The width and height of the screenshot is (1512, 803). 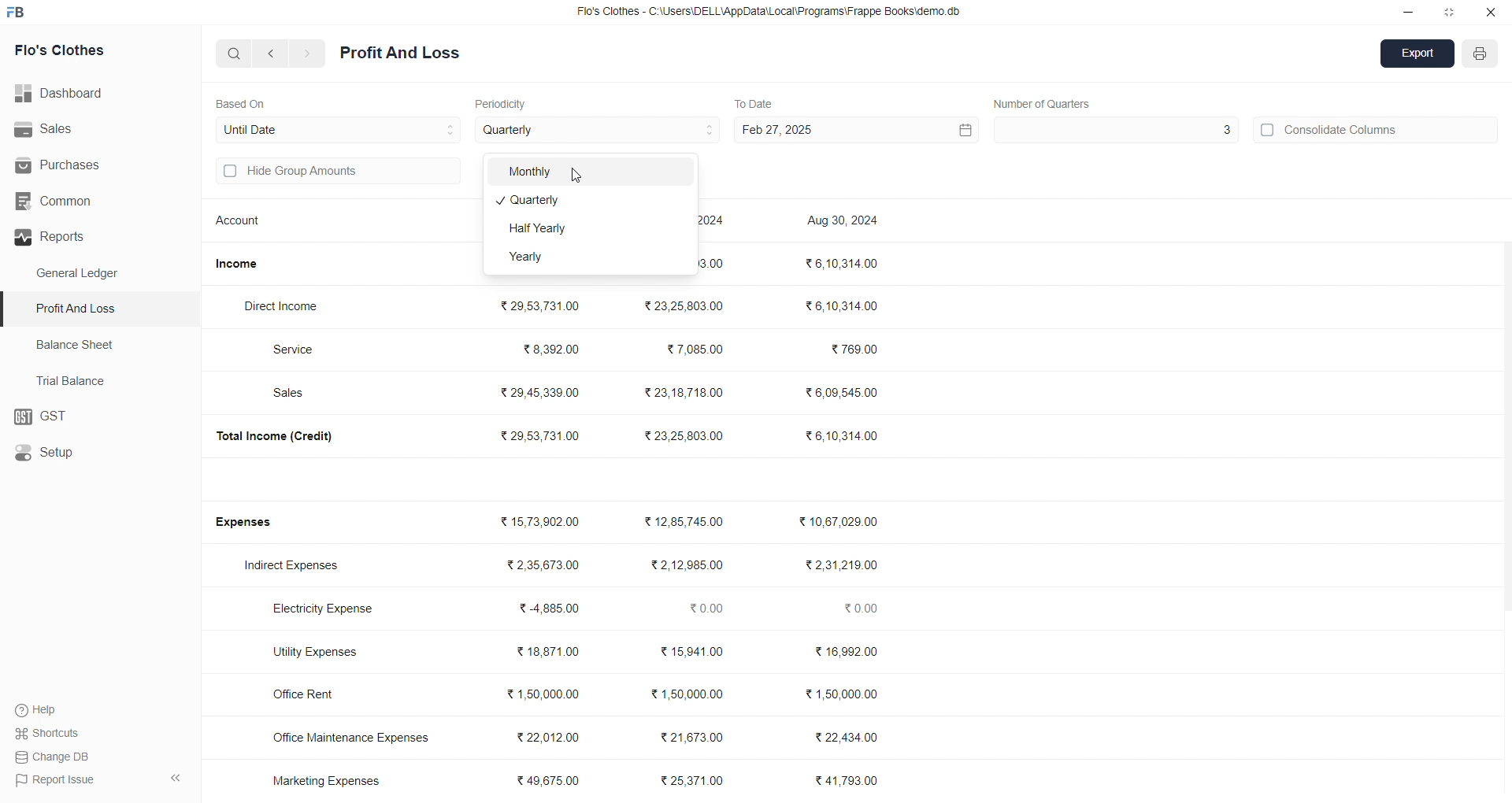 I want to click on Office Rent, so click(x=317, y=695).